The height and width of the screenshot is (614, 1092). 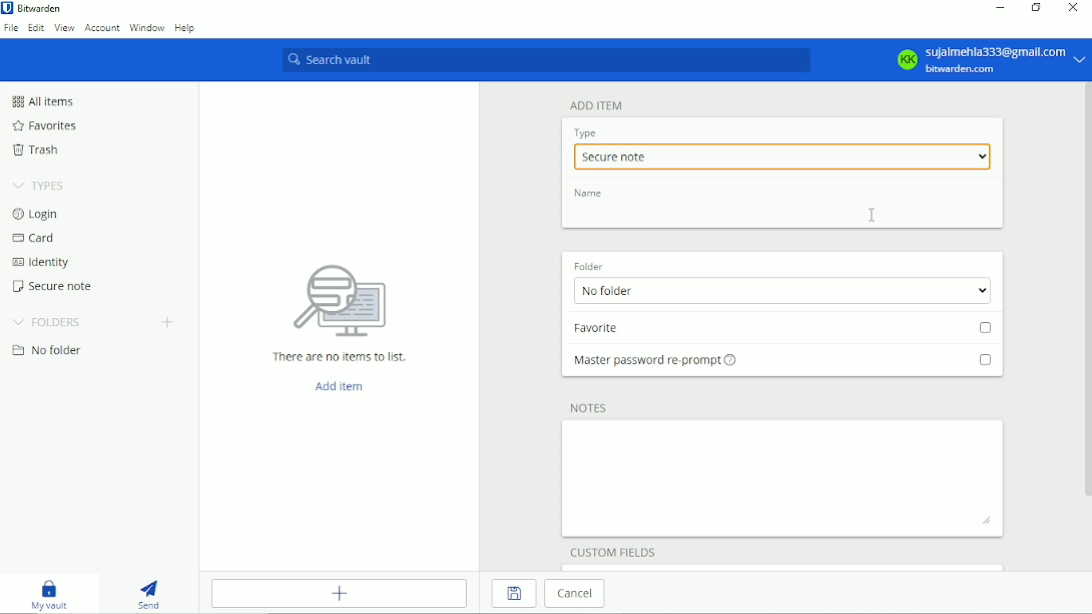 What do you see at coordinates (998, 9) in the screenshot?
I see `Minimize` at bounding box center [998, 9].